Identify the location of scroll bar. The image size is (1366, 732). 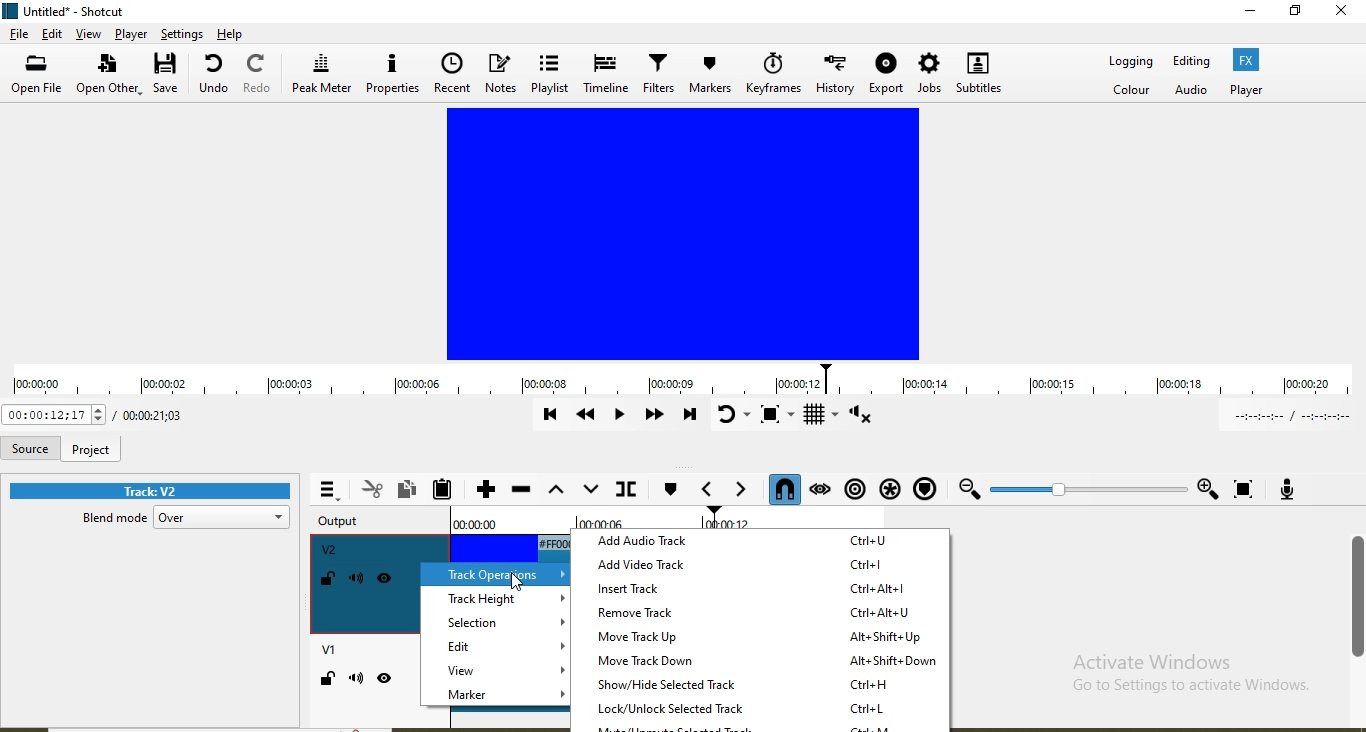
(1357, 599).